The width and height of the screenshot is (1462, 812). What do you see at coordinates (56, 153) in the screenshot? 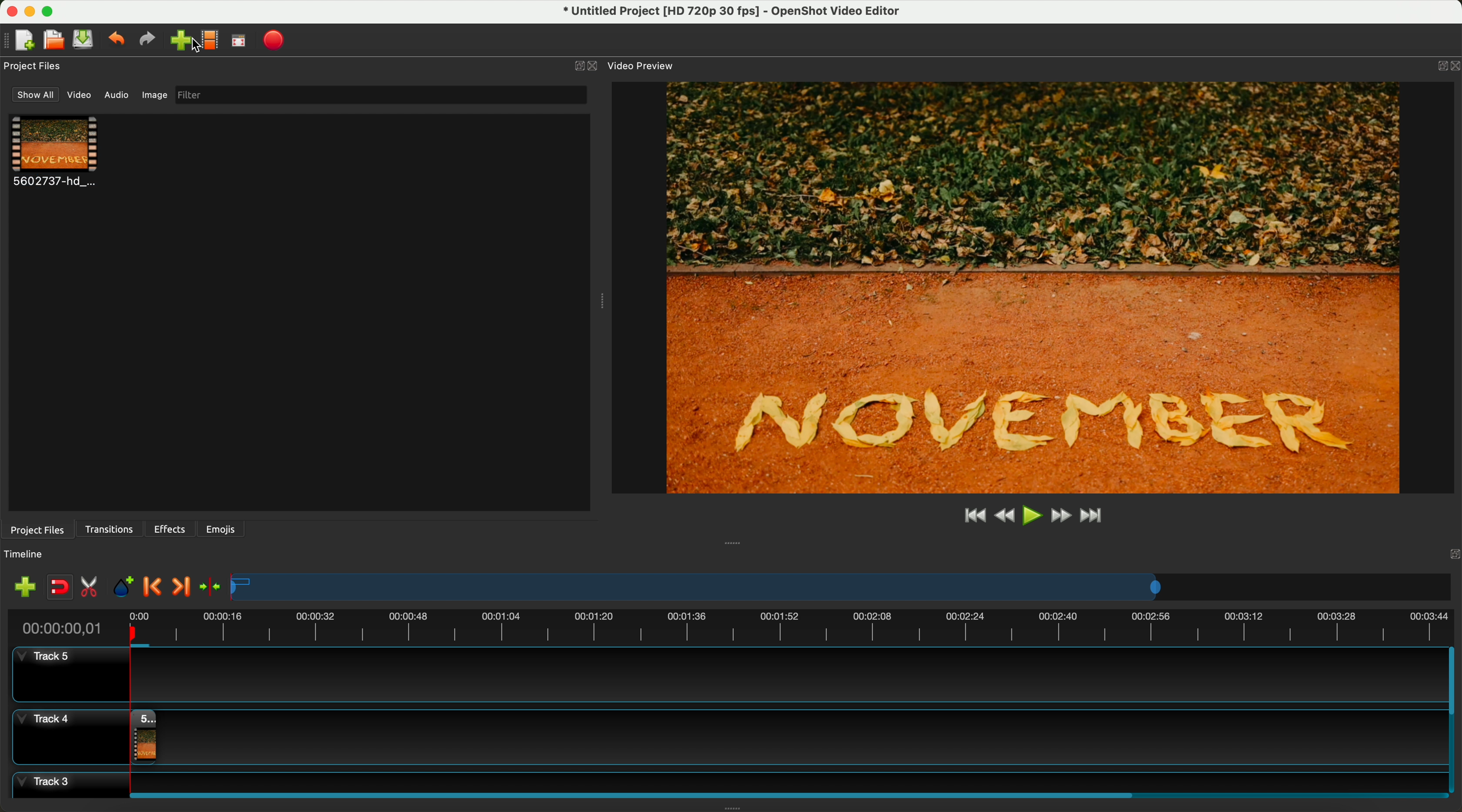
I see `video` at bounding box center [56, 153].